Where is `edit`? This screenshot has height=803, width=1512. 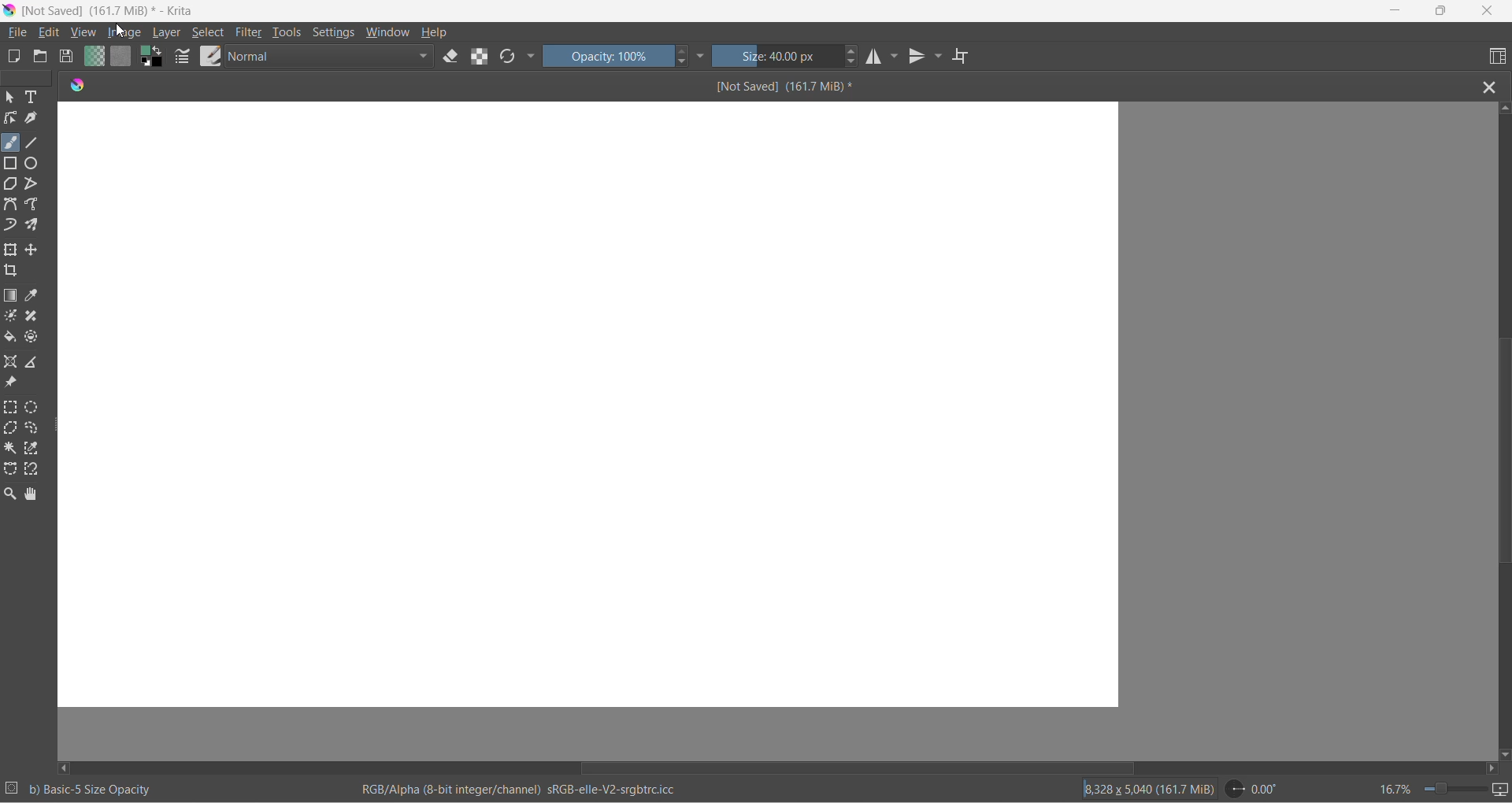
edit is located at coordinates (53, 33).